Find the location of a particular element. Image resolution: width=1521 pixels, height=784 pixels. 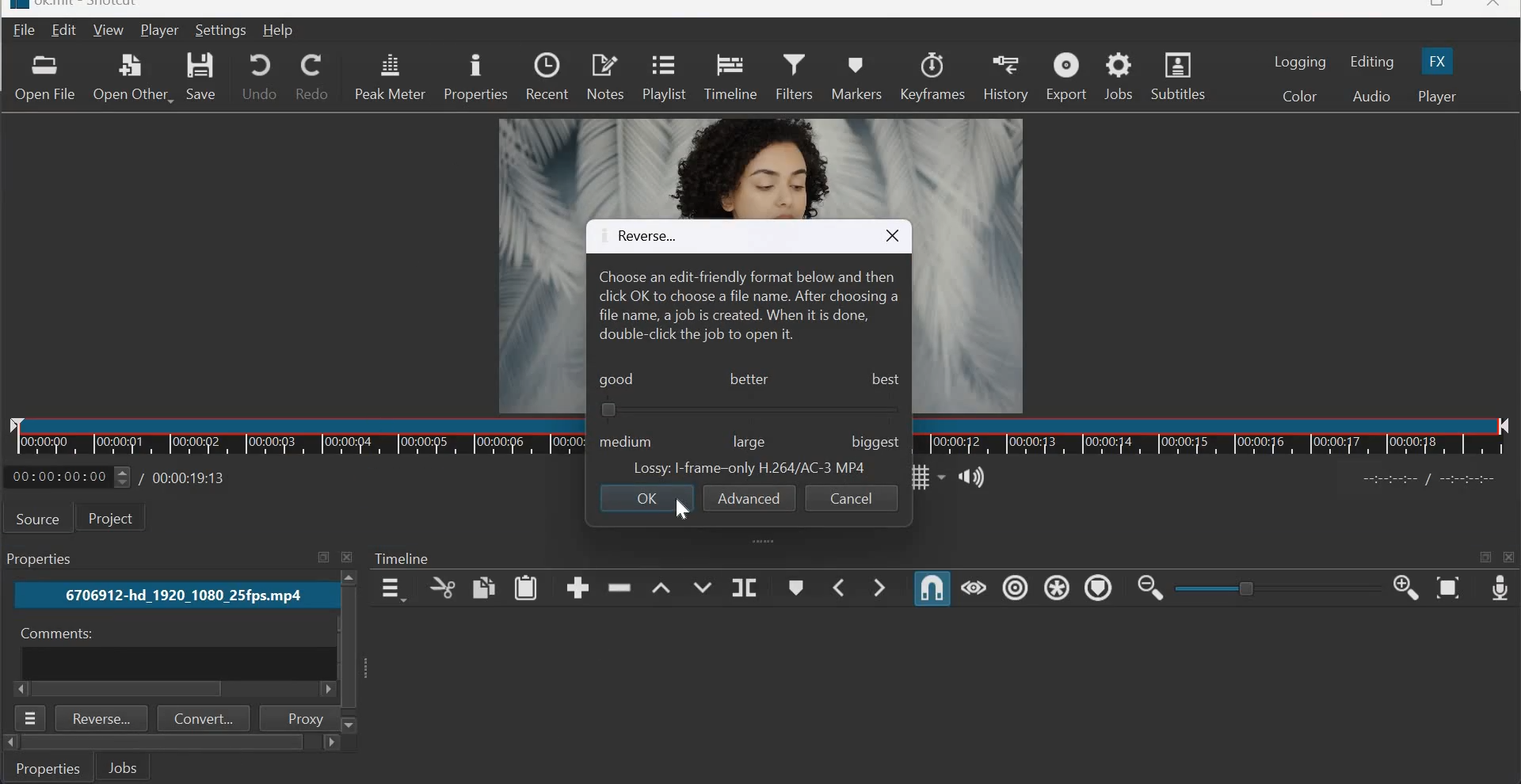

Help is located at coordinates (279, 31).